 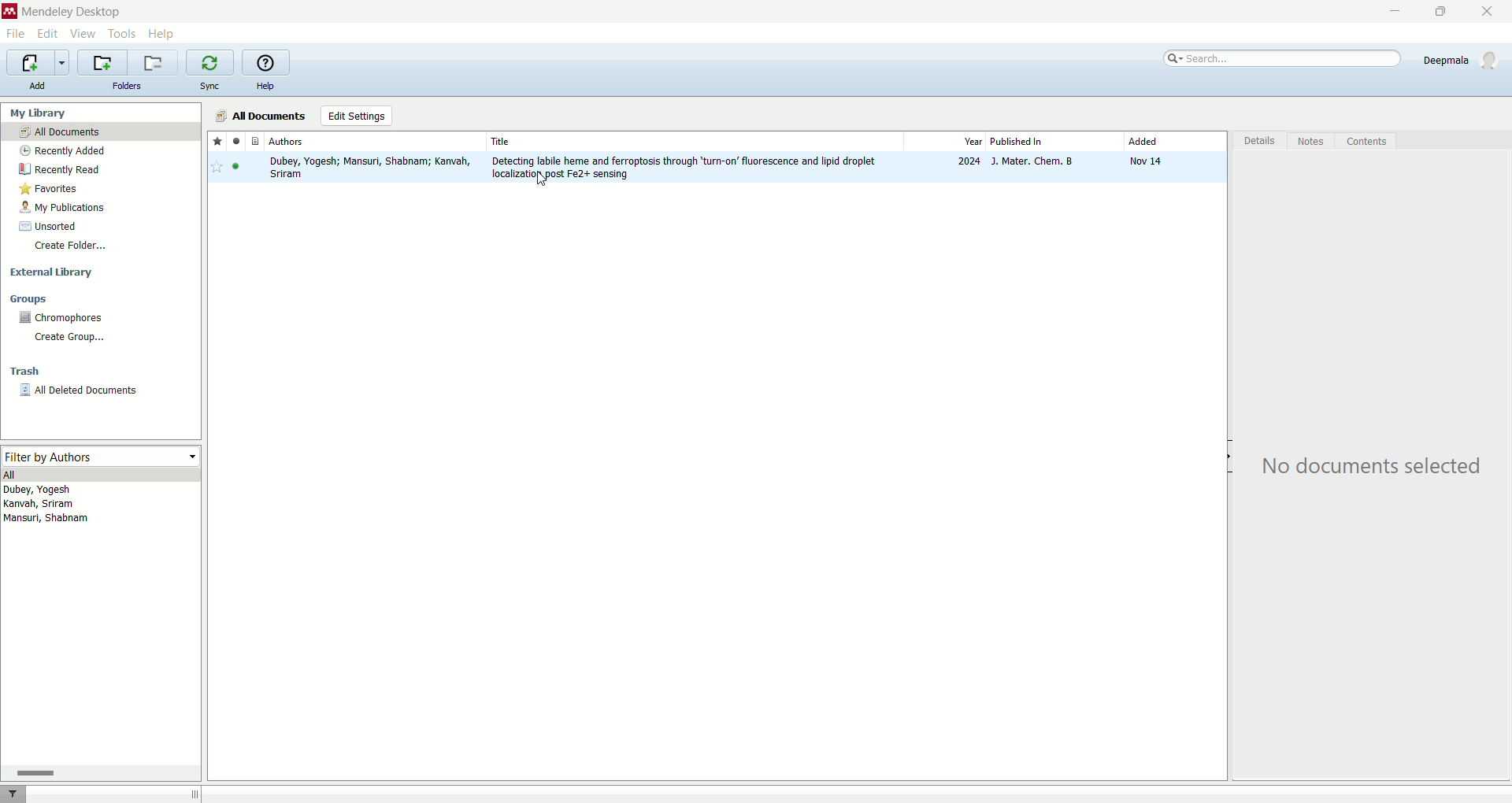 I want to click on folders, so click(x=125, y=86).